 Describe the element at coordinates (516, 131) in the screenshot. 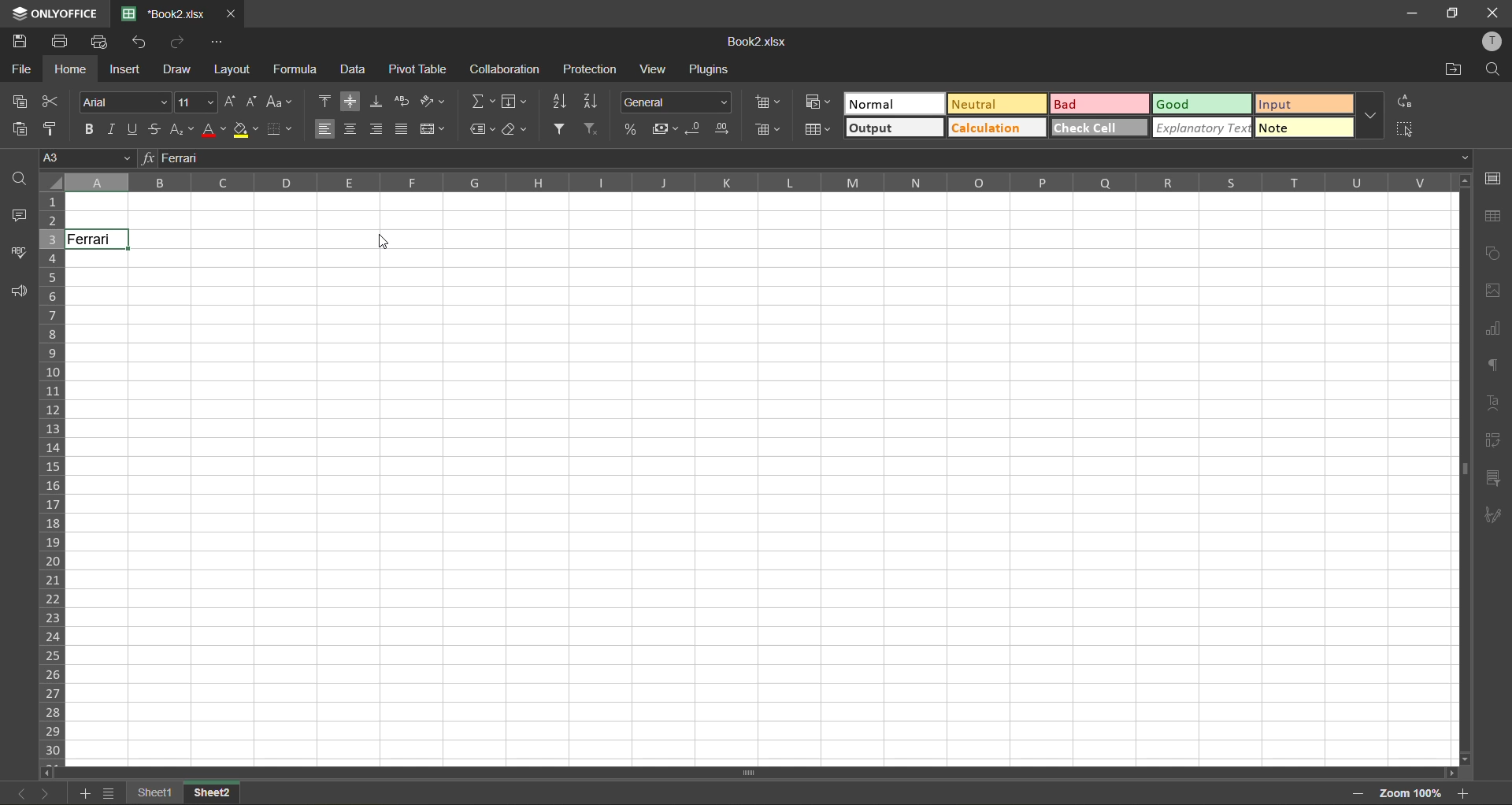

I see `clear` at that location.